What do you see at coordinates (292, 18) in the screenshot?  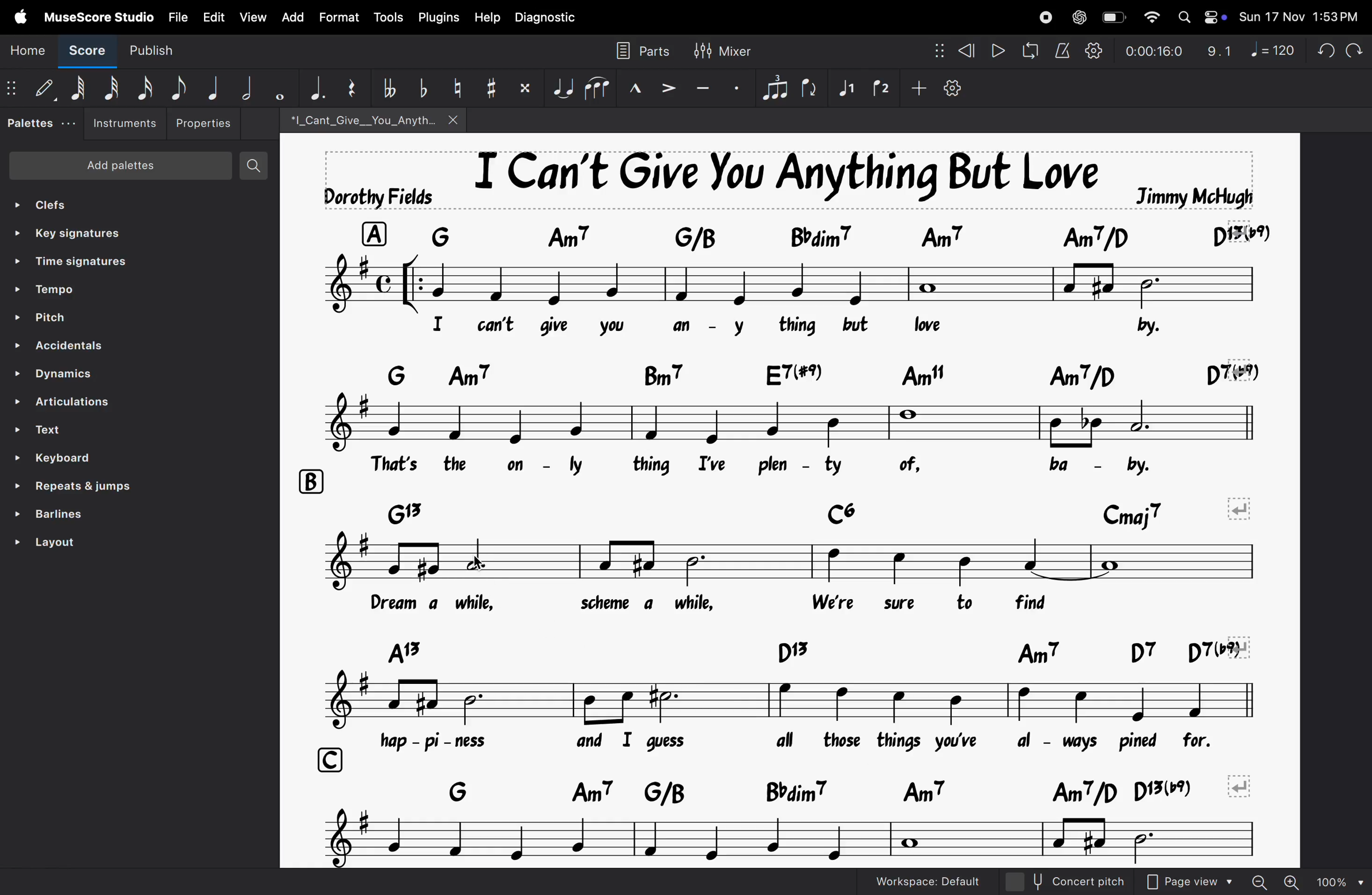 I see `add` at bounding box center [292, 18].